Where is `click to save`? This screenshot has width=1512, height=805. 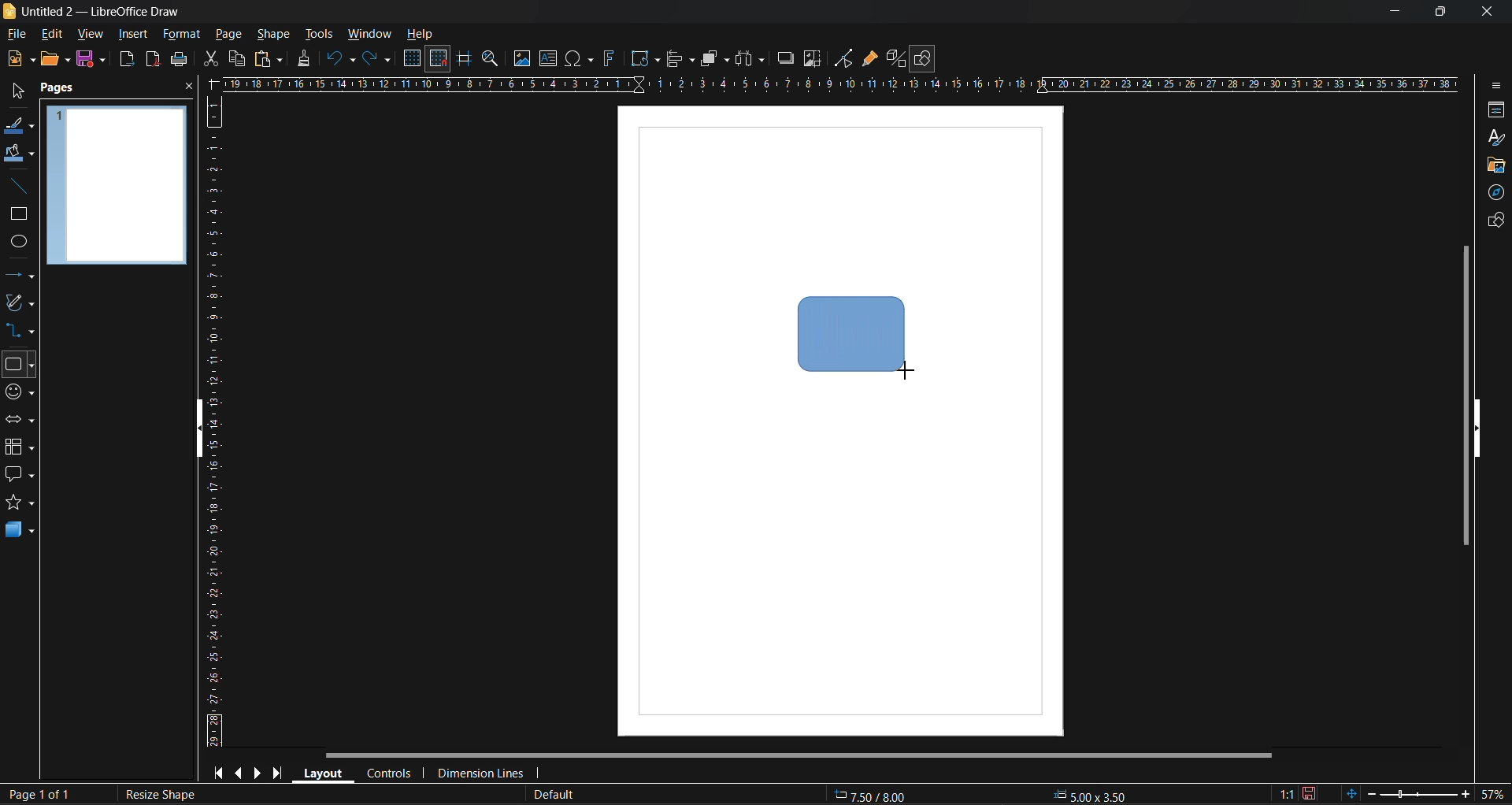
click to save is located at coordinates (1311, 794).